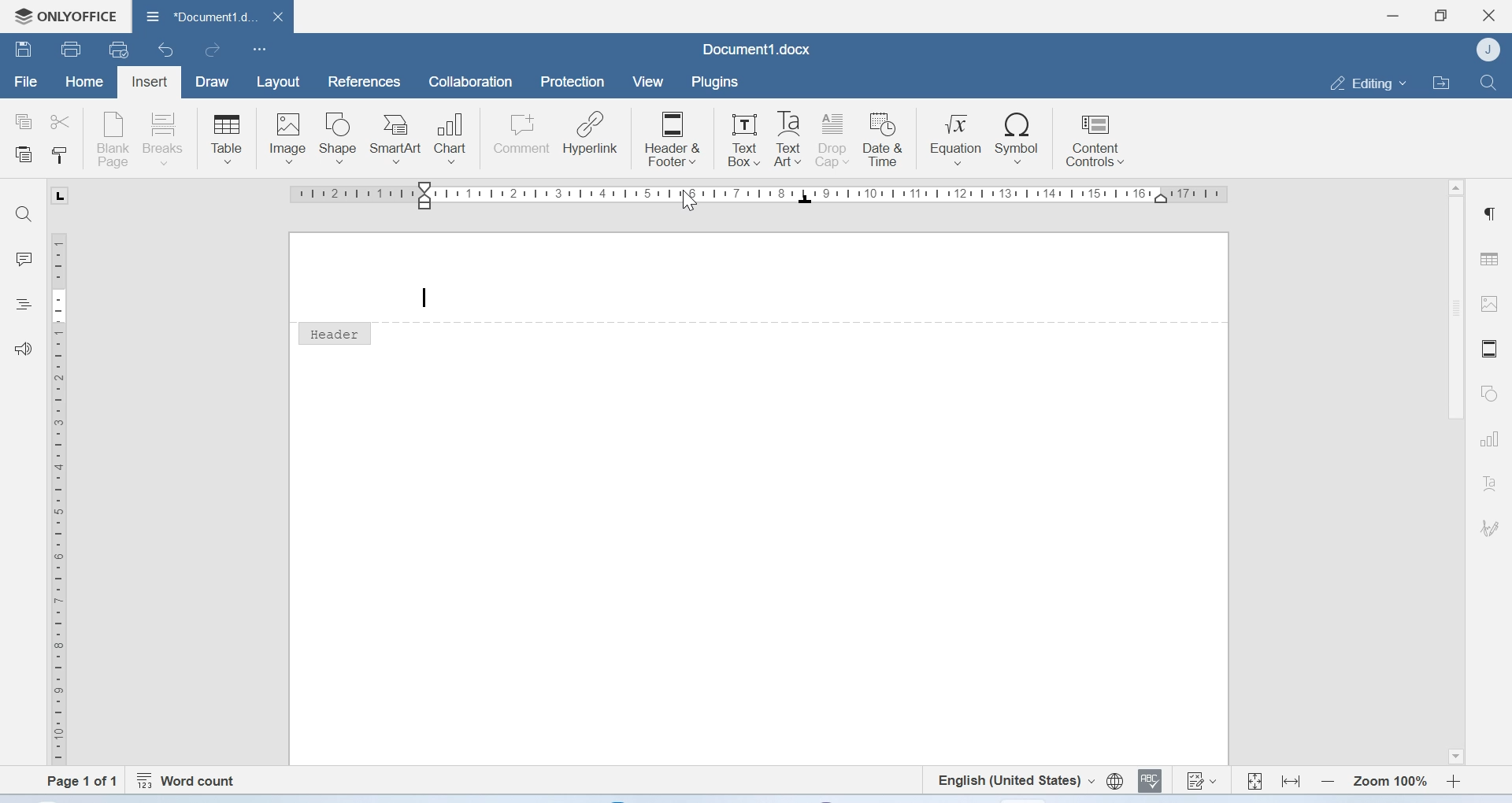 Image resolution: width=1512 pixels, height=803 pixels. I want to click on Shapes, so click(1488, 394).